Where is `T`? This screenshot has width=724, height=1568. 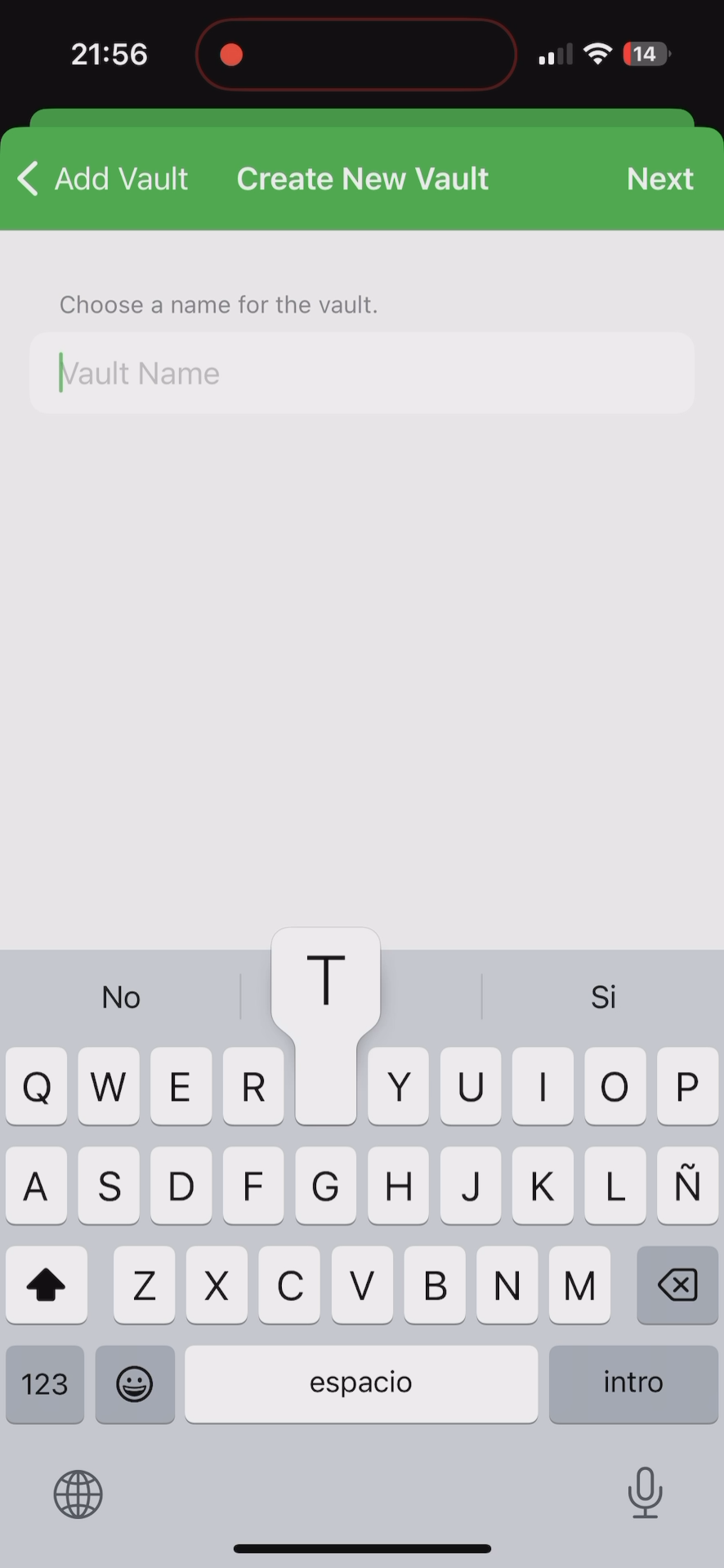 T is located at coordinates (324, 986).